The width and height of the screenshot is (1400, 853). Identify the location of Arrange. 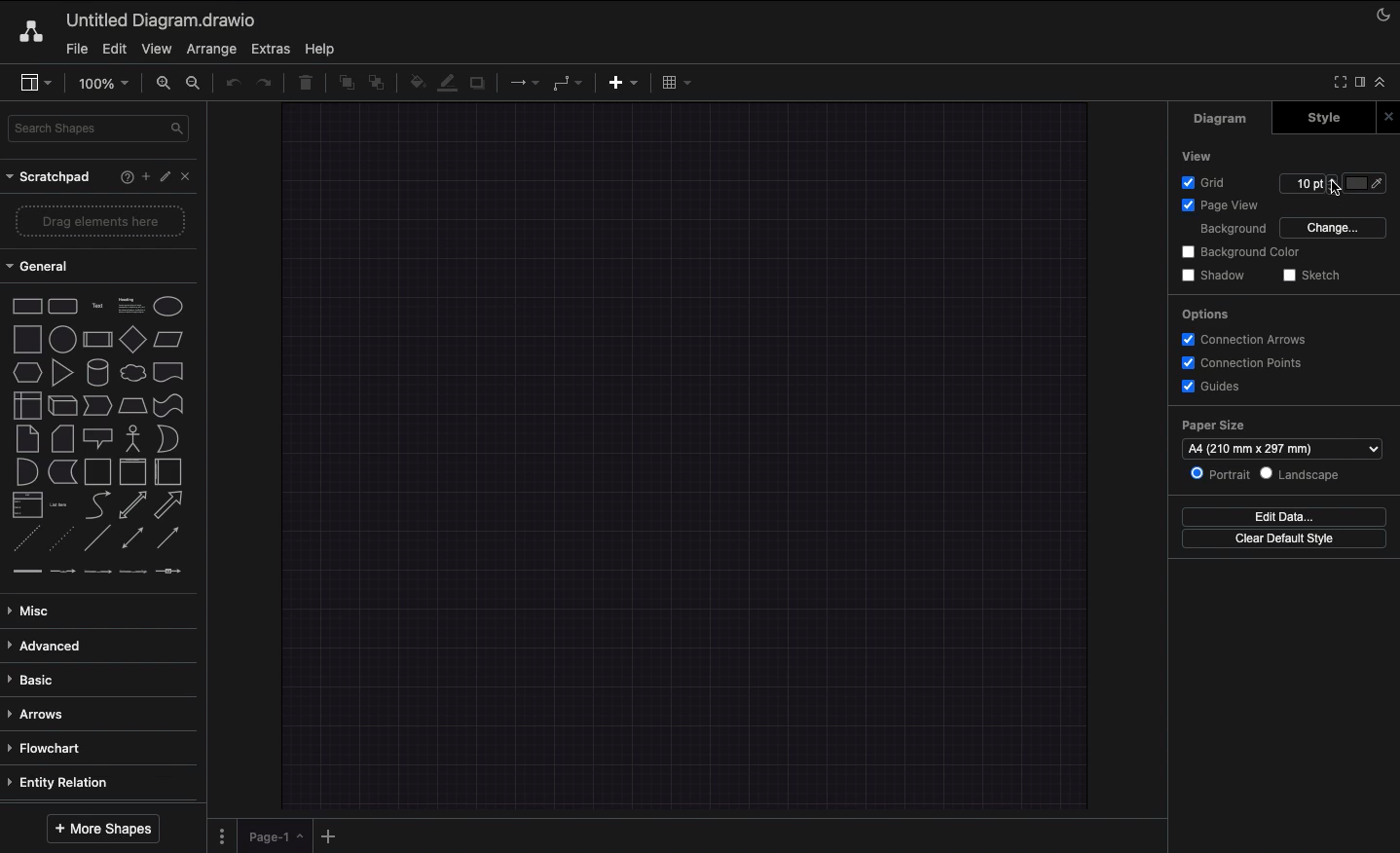
(210, 48).